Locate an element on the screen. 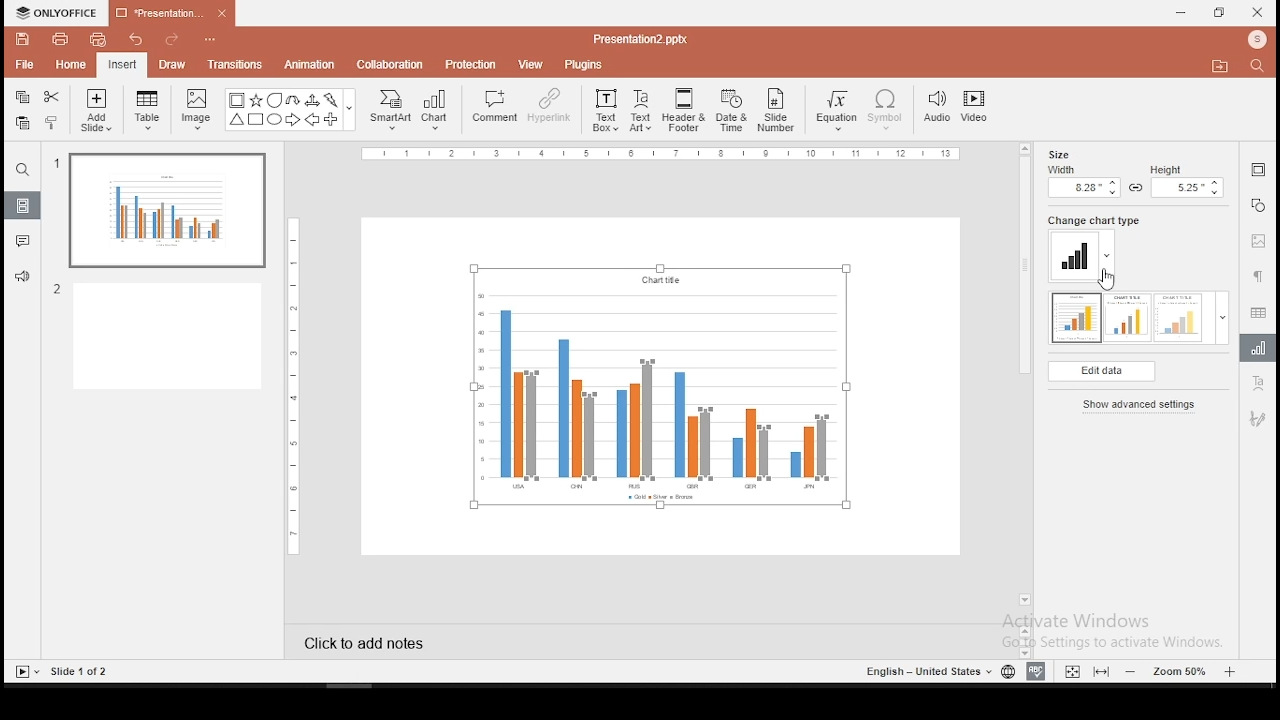  zoom level is located at coordinates (1184, 671).